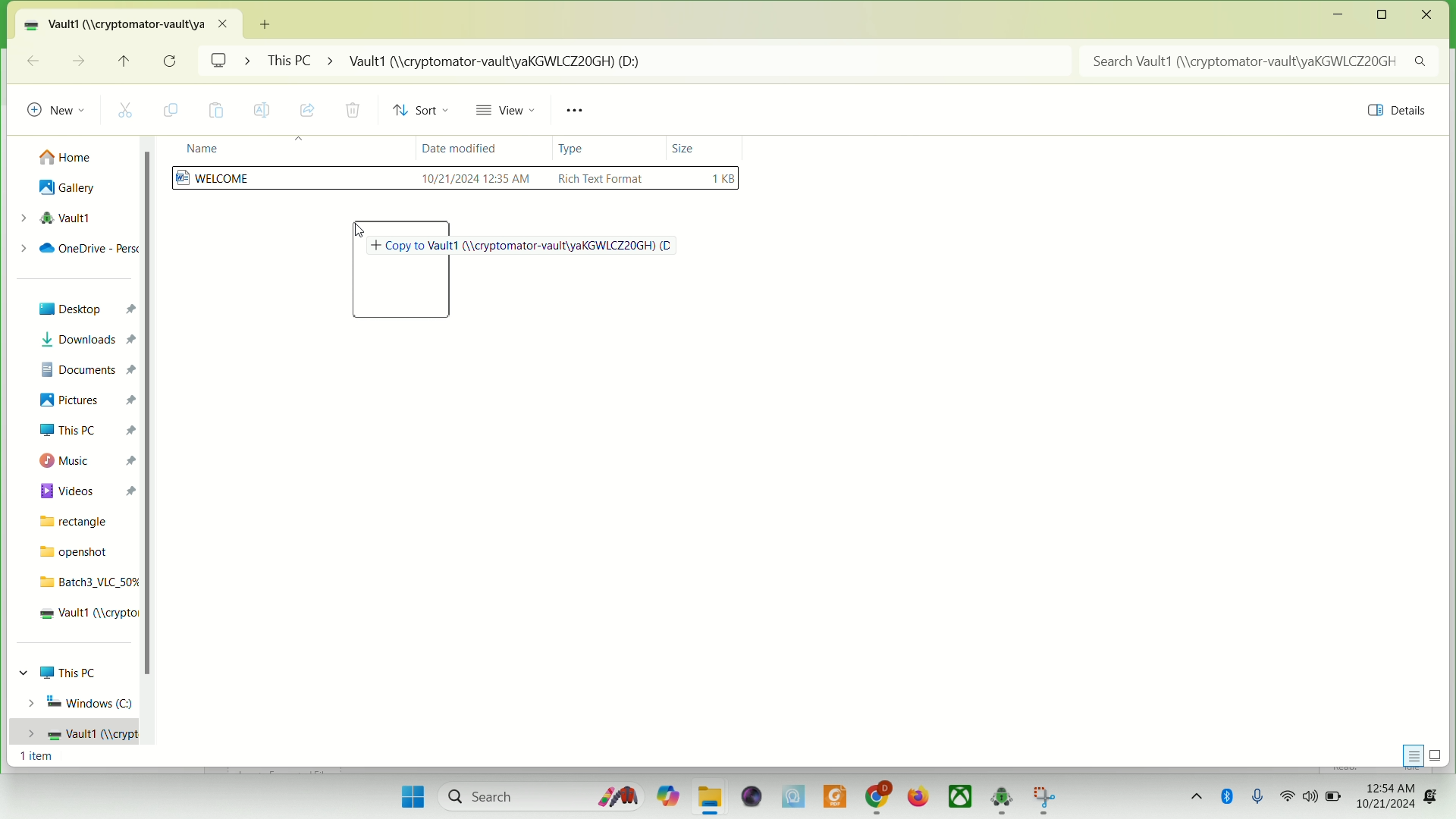  Describe the element at coordinates (85, 369) in the screenshot. I see `documents` at that location.